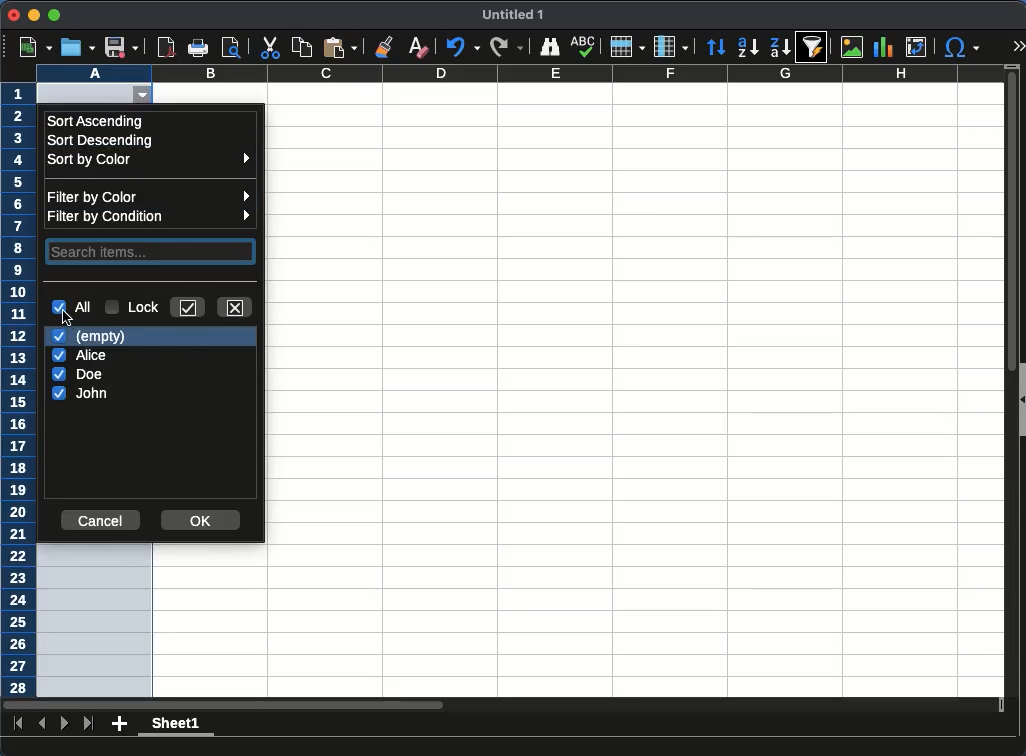 Image resolution: width=1026 pixels, height=756 pixels. I want to click on ok, so click(201, 520).